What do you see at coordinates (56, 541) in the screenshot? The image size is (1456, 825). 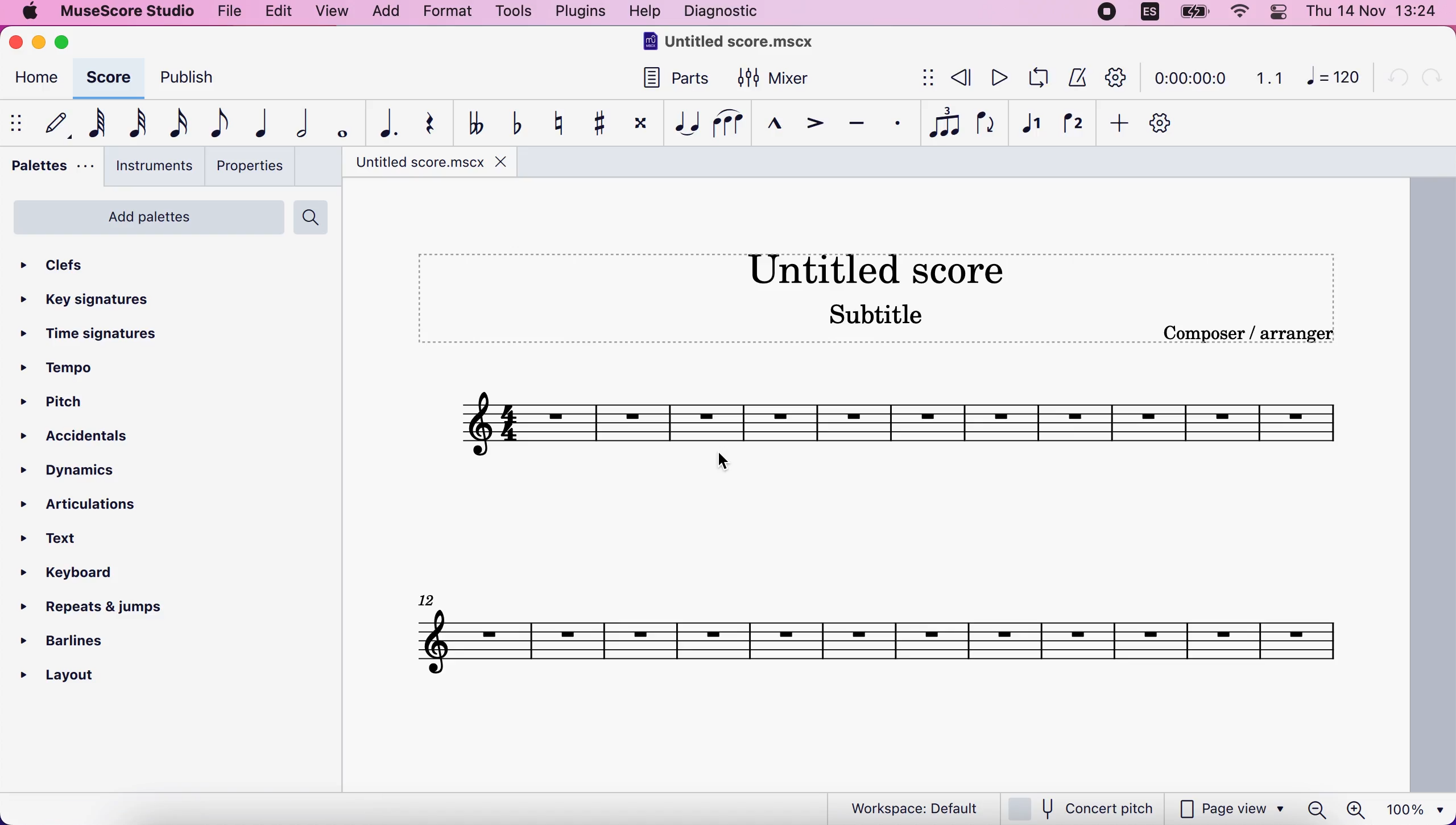 I see `text` at bounding box center [56, 541].